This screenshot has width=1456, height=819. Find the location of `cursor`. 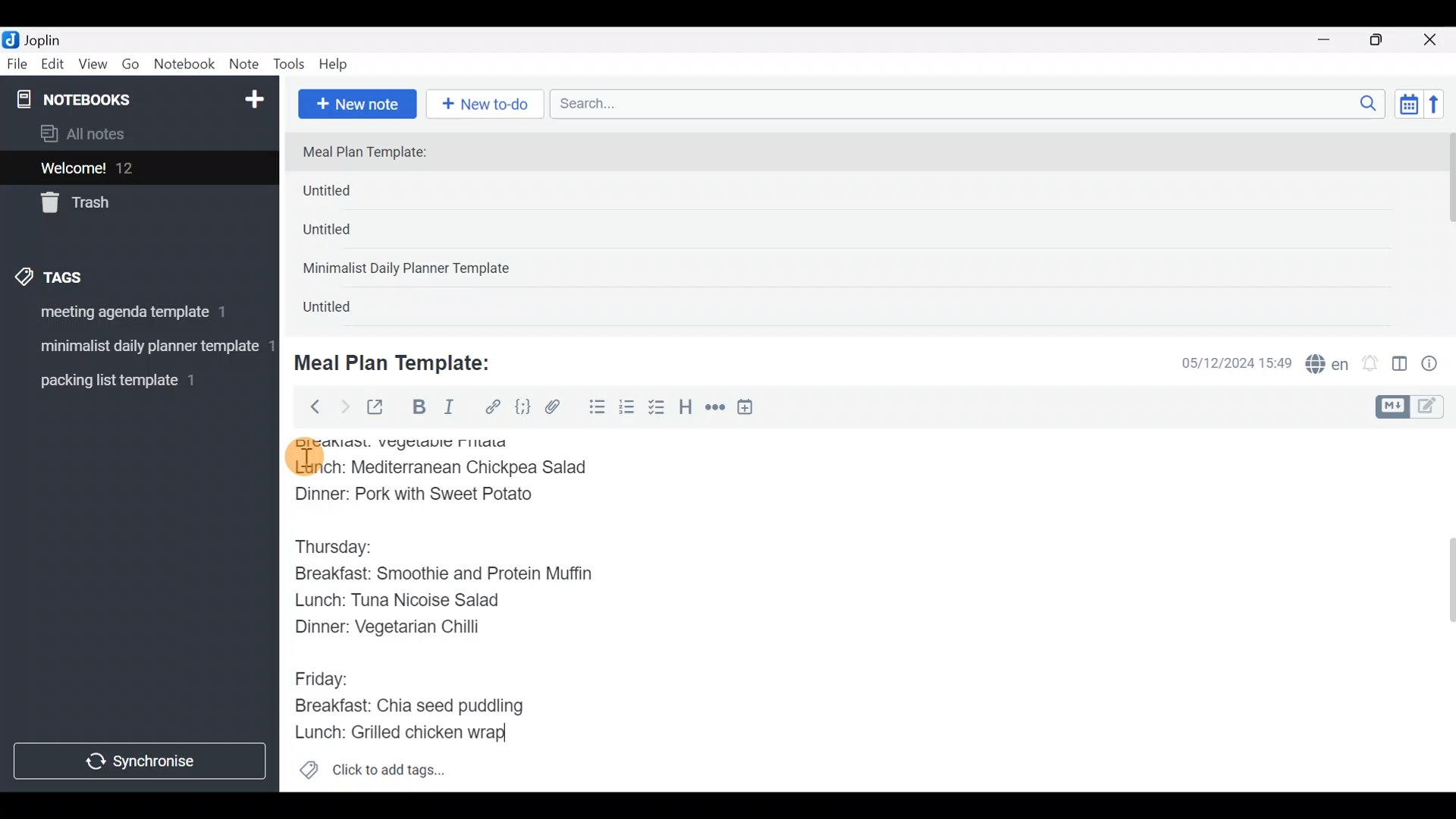

cursor is located at coordinates (303, 457).